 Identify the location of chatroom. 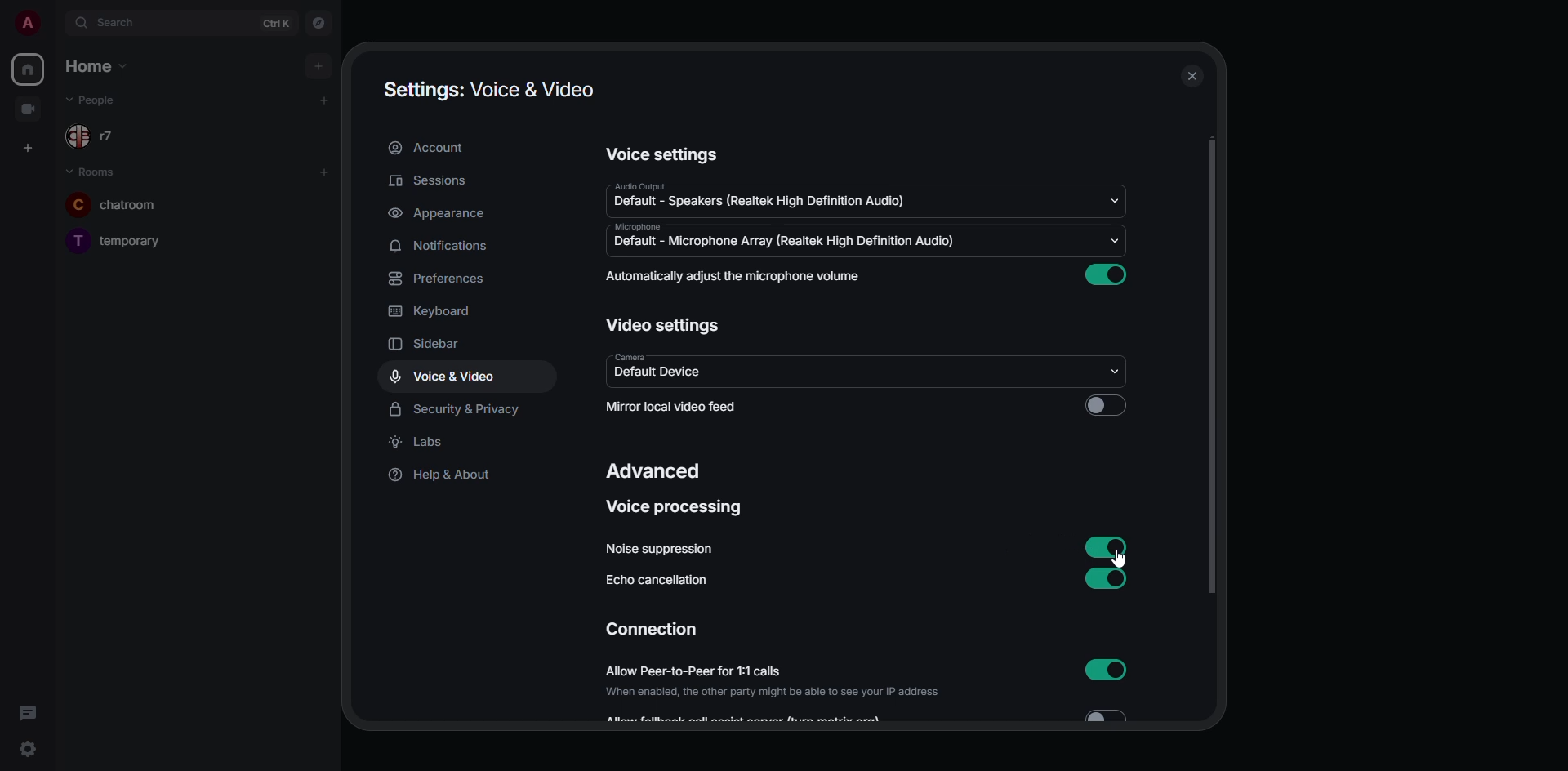
(126, 203).